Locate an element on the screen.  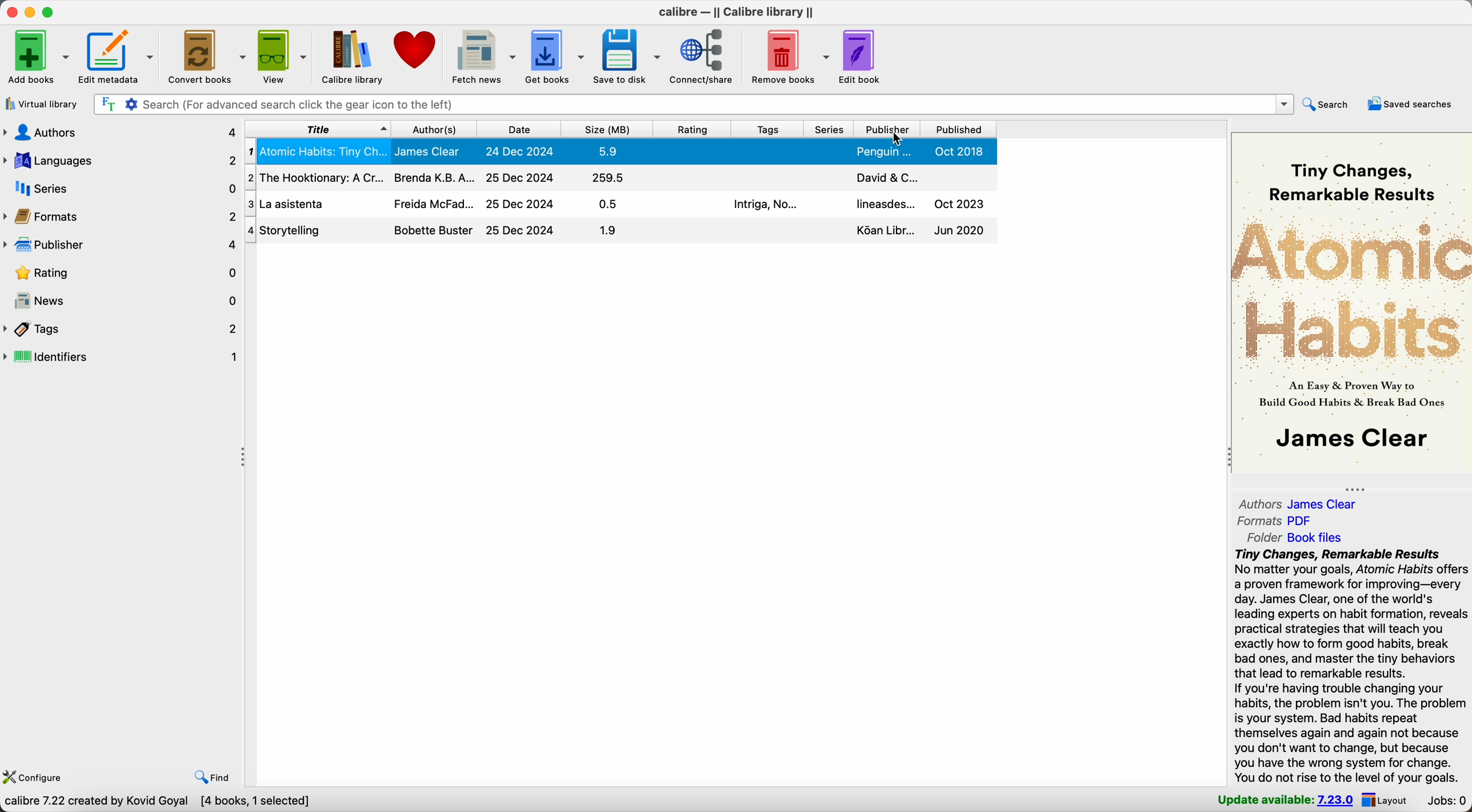
25 Dec 2024 is located at coordinates (519, 151).